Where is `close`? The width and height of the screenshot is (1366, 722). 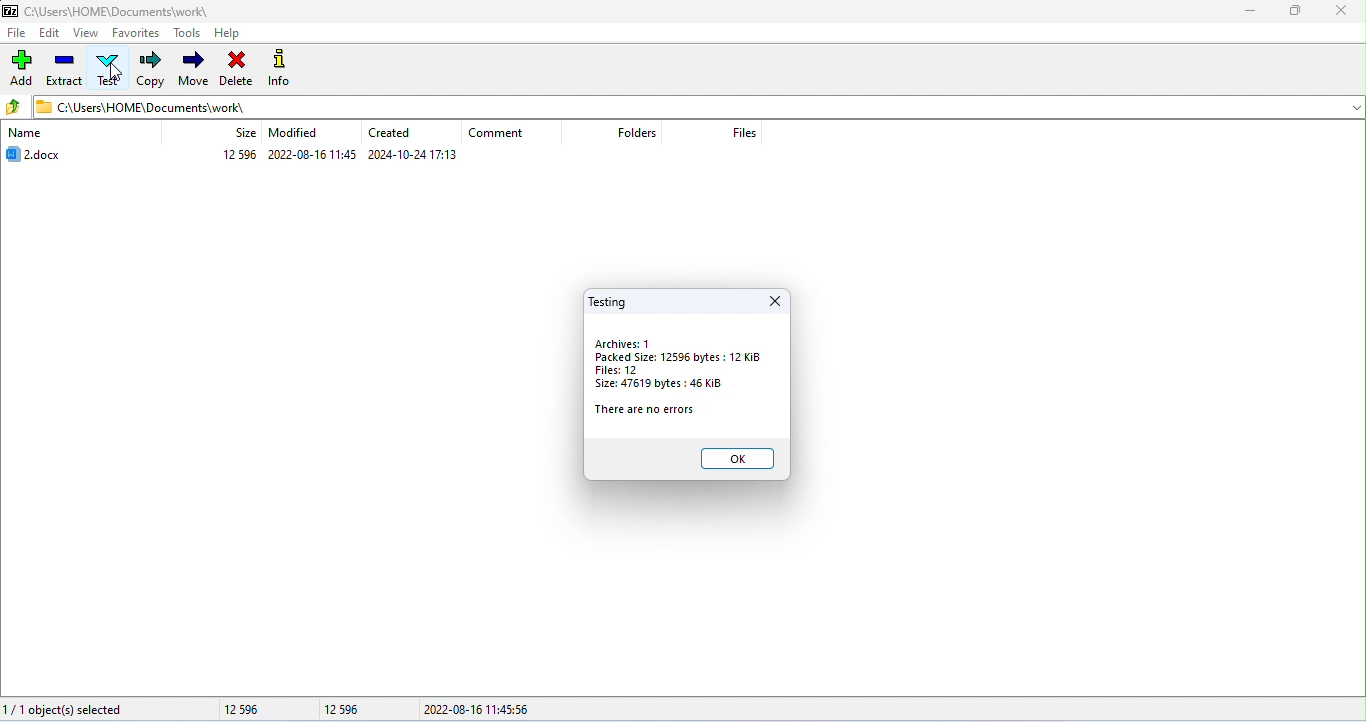
close is located at coordinates (1344, 12).